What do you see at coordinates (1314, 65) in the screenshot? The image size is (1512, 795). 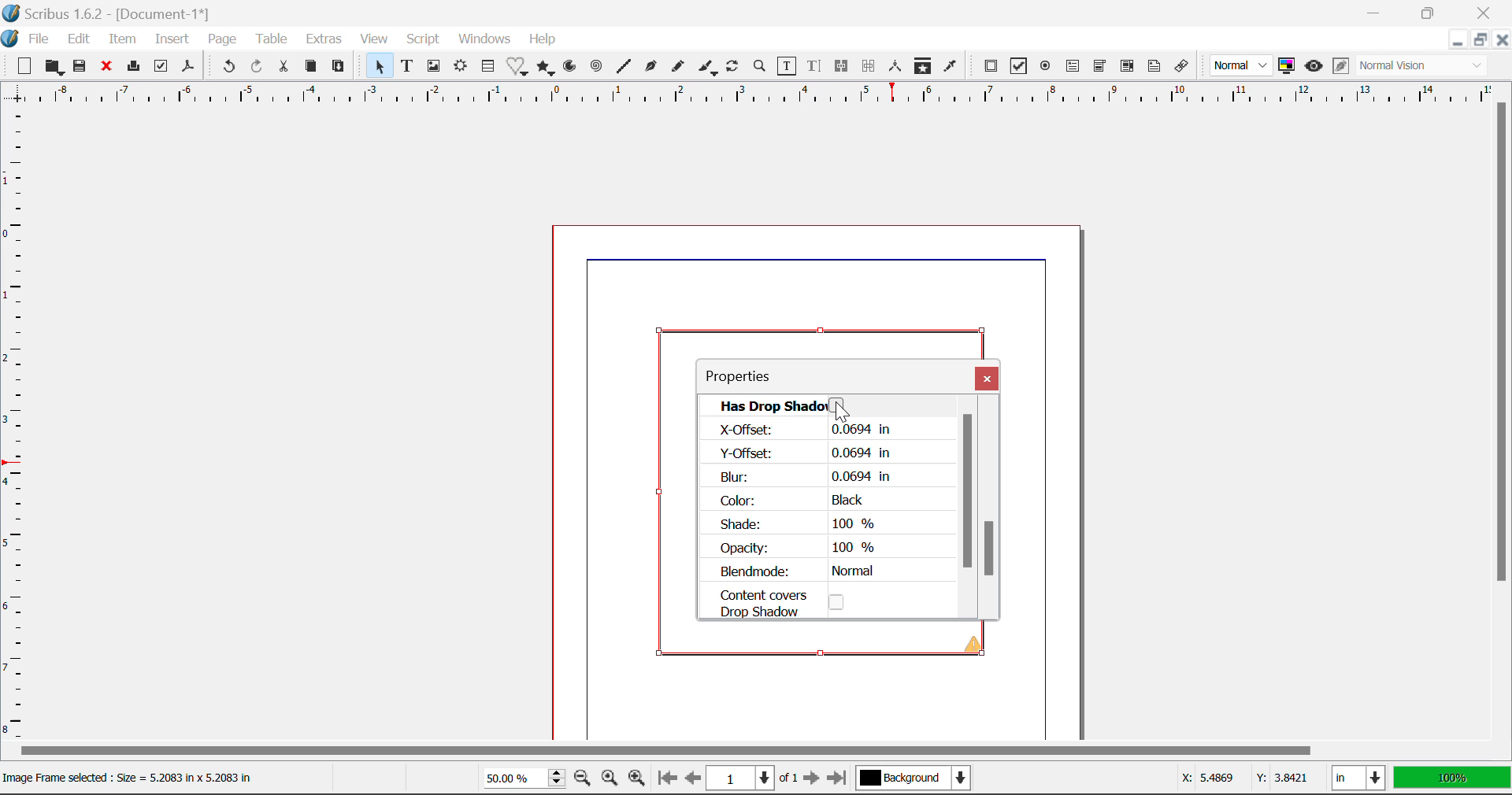 I see `Preview` at bounding box center [1314, 65].